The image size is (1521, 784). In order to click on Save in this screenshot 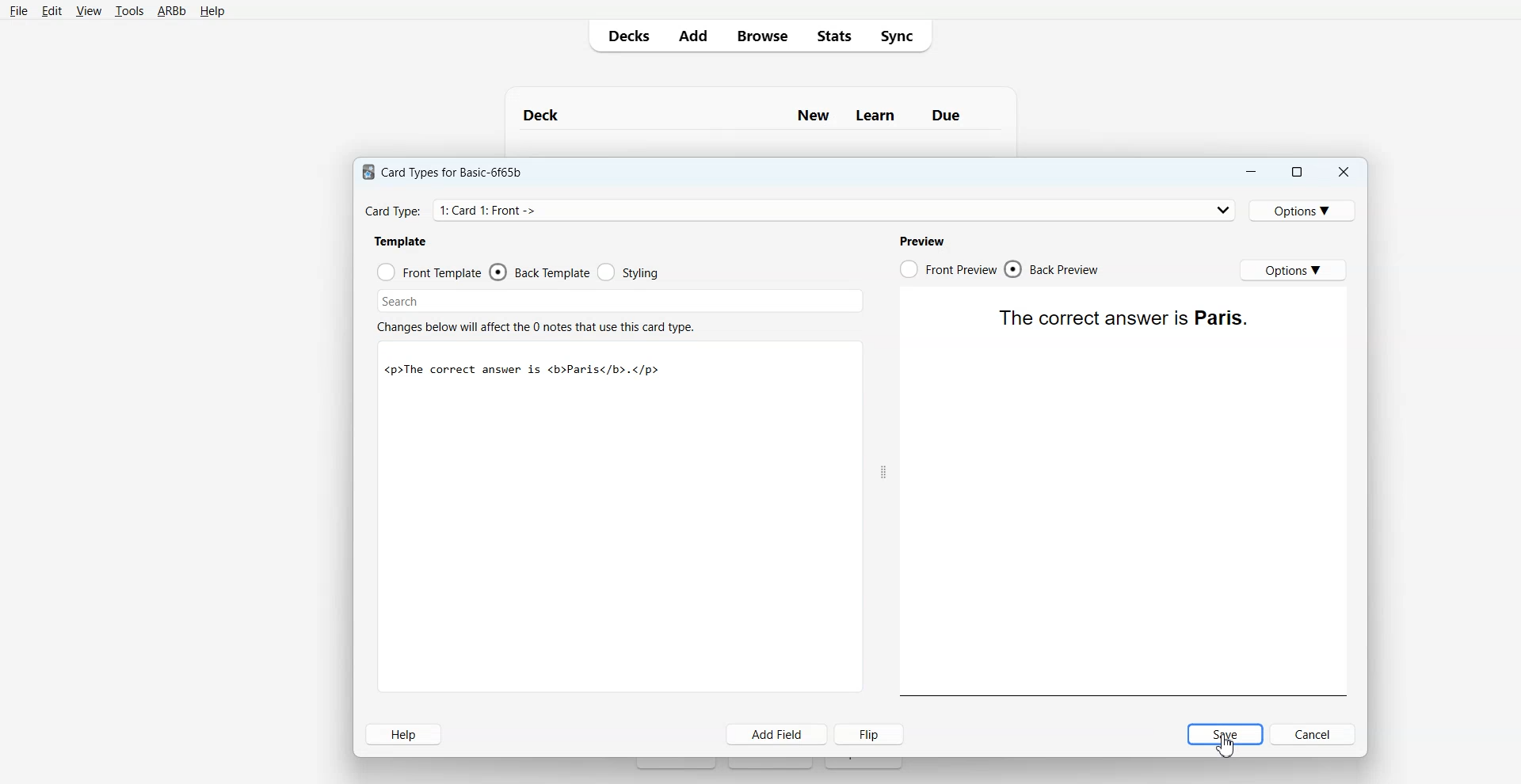, I will do `click(1225, 734)`.